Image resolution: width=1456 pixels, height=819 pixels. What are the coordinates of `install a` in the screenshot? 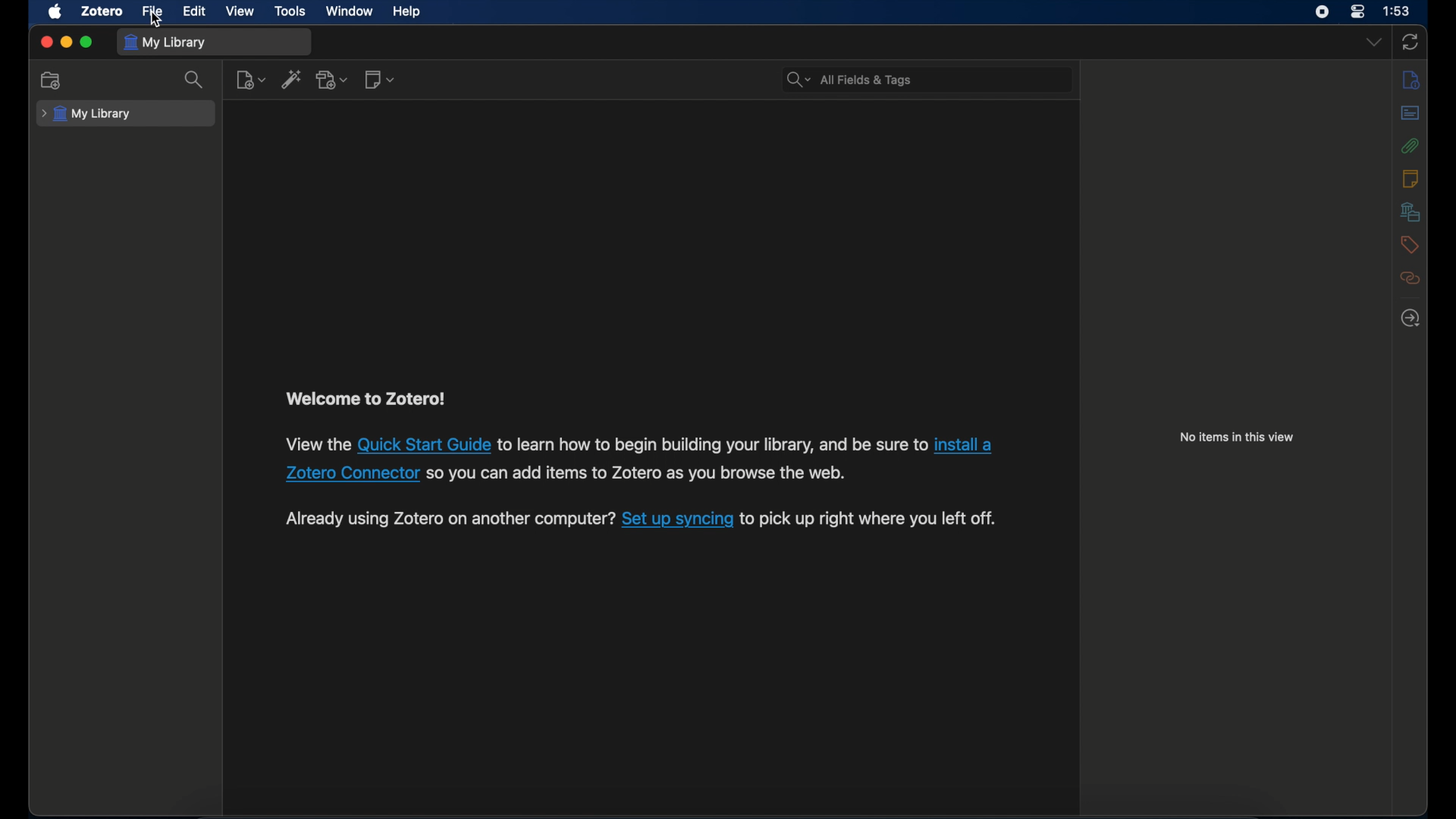 It's located at (968, 444).